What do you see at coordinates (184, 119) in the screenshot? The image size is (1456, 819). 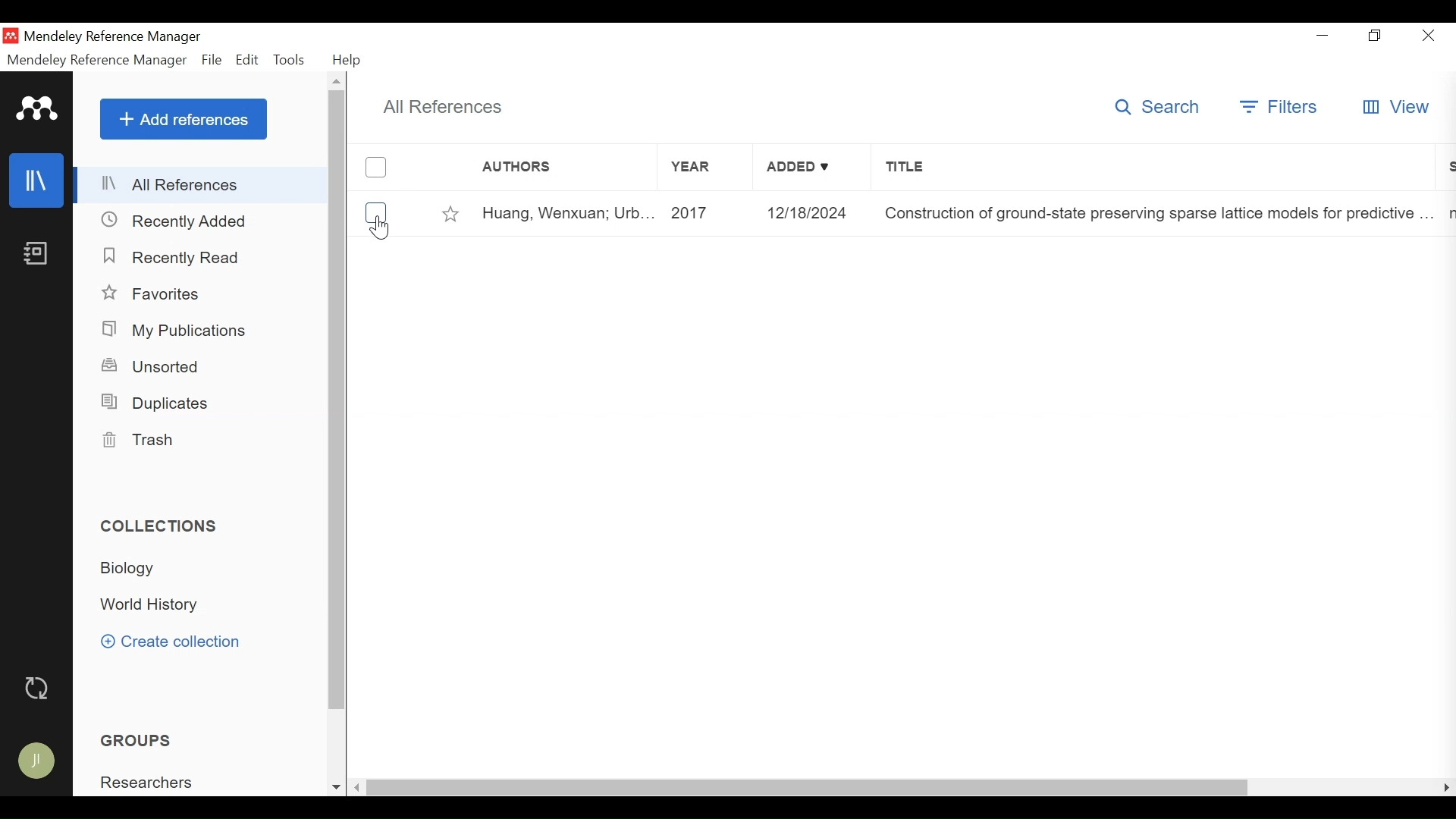 I see `Add References` at bounding box center [184, 119].